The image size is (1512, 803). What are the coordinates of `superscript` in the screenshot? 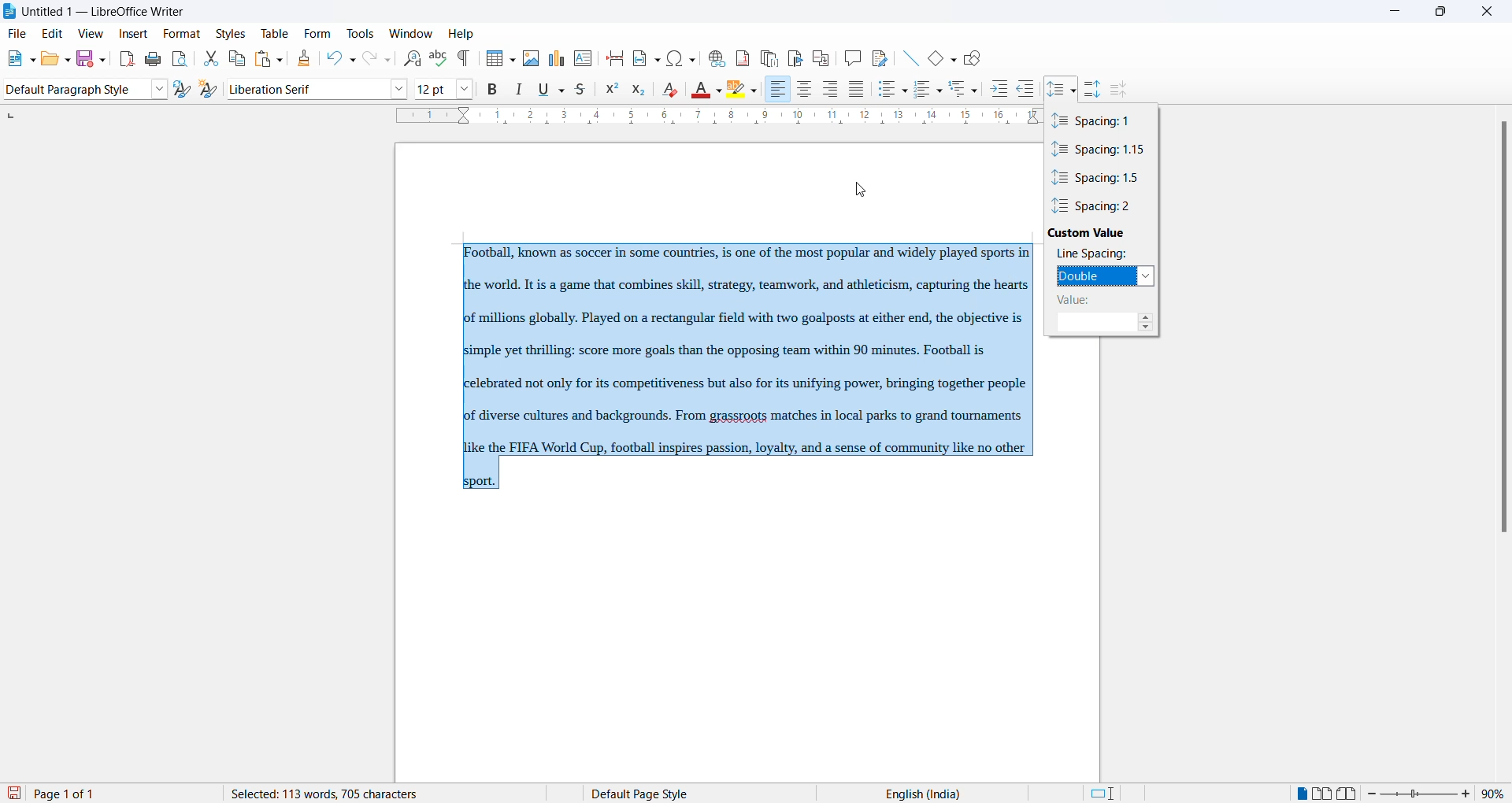 It's located at (613, 90).